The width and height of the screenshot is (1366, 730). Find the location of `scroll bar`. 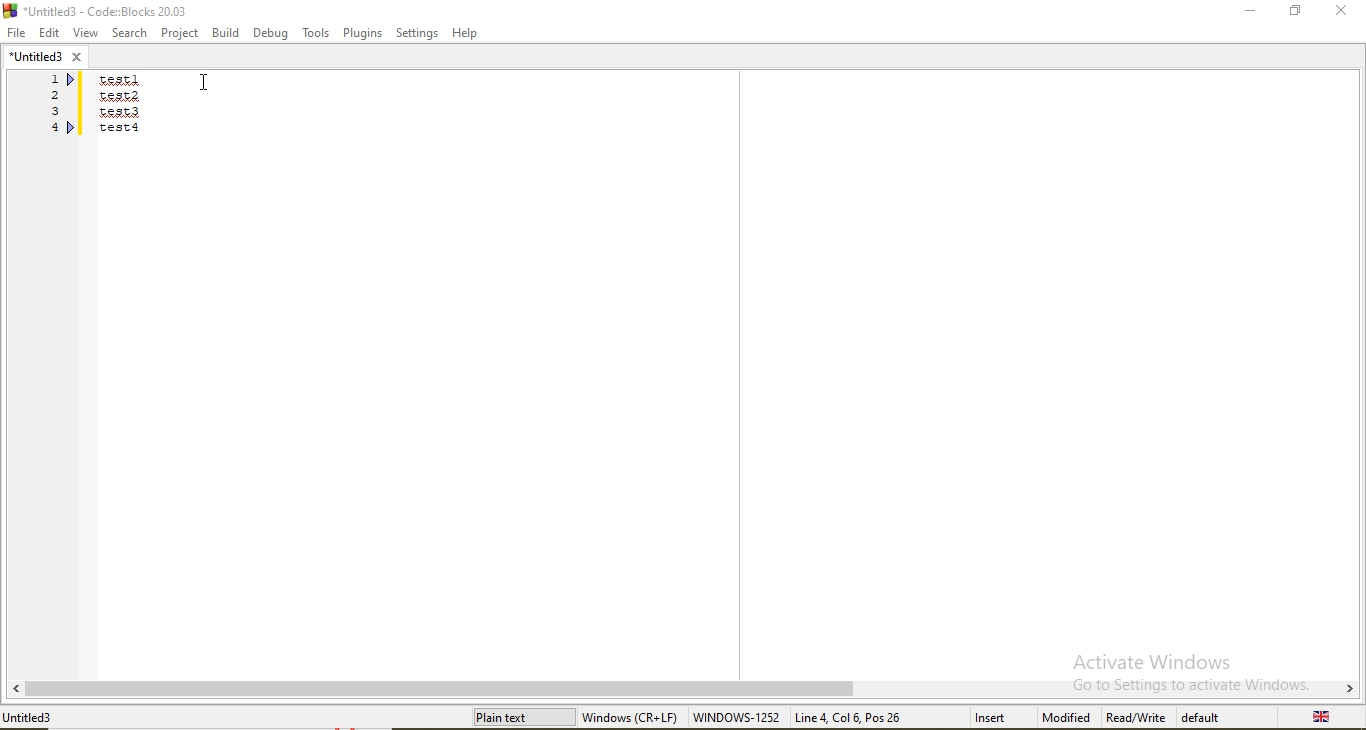

scroll bar is located at coordinates (683, 688).